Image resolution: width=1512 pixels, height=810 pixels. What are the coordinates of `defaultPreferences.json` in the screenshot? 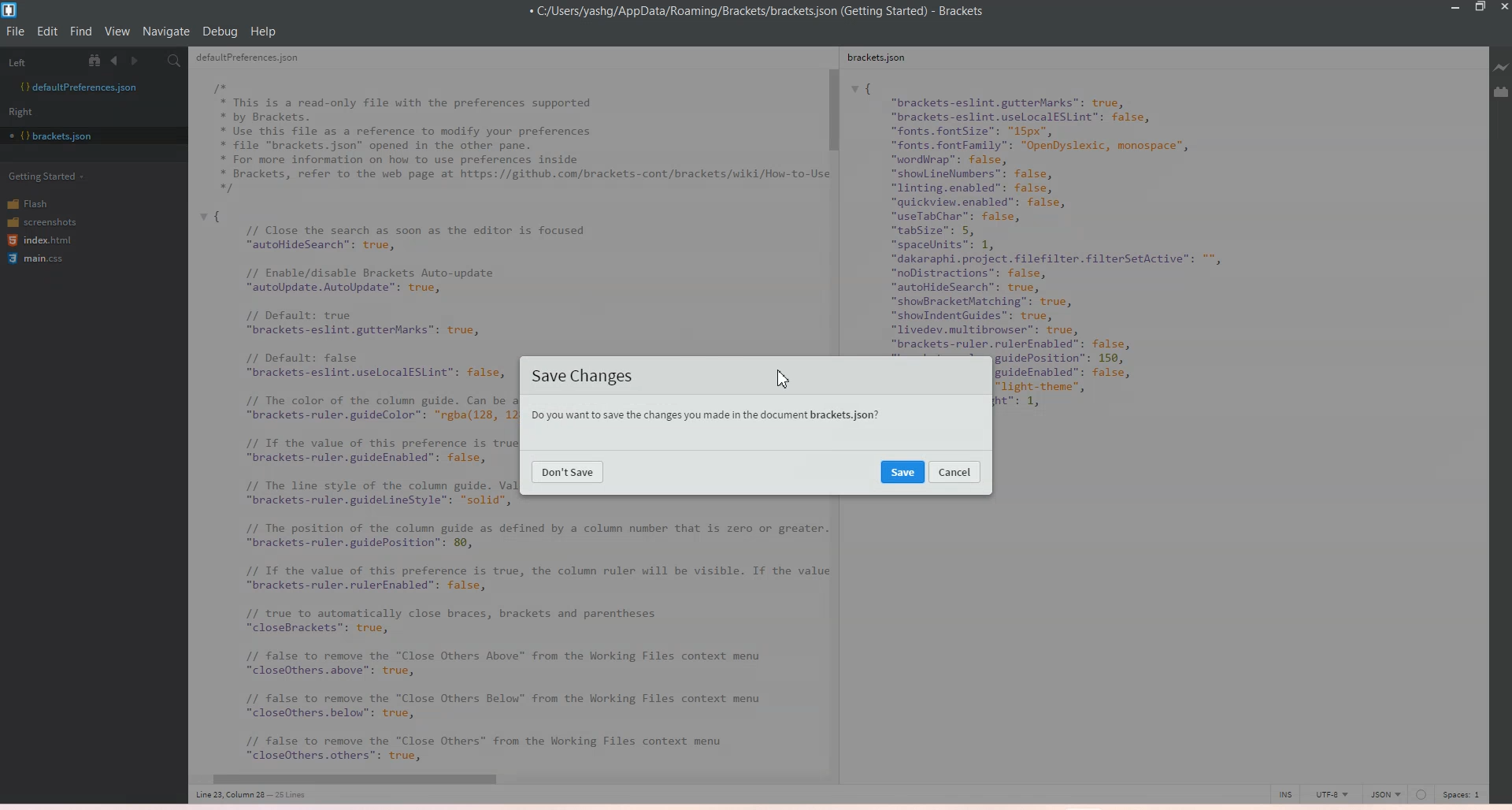 It's located at (257, 60).